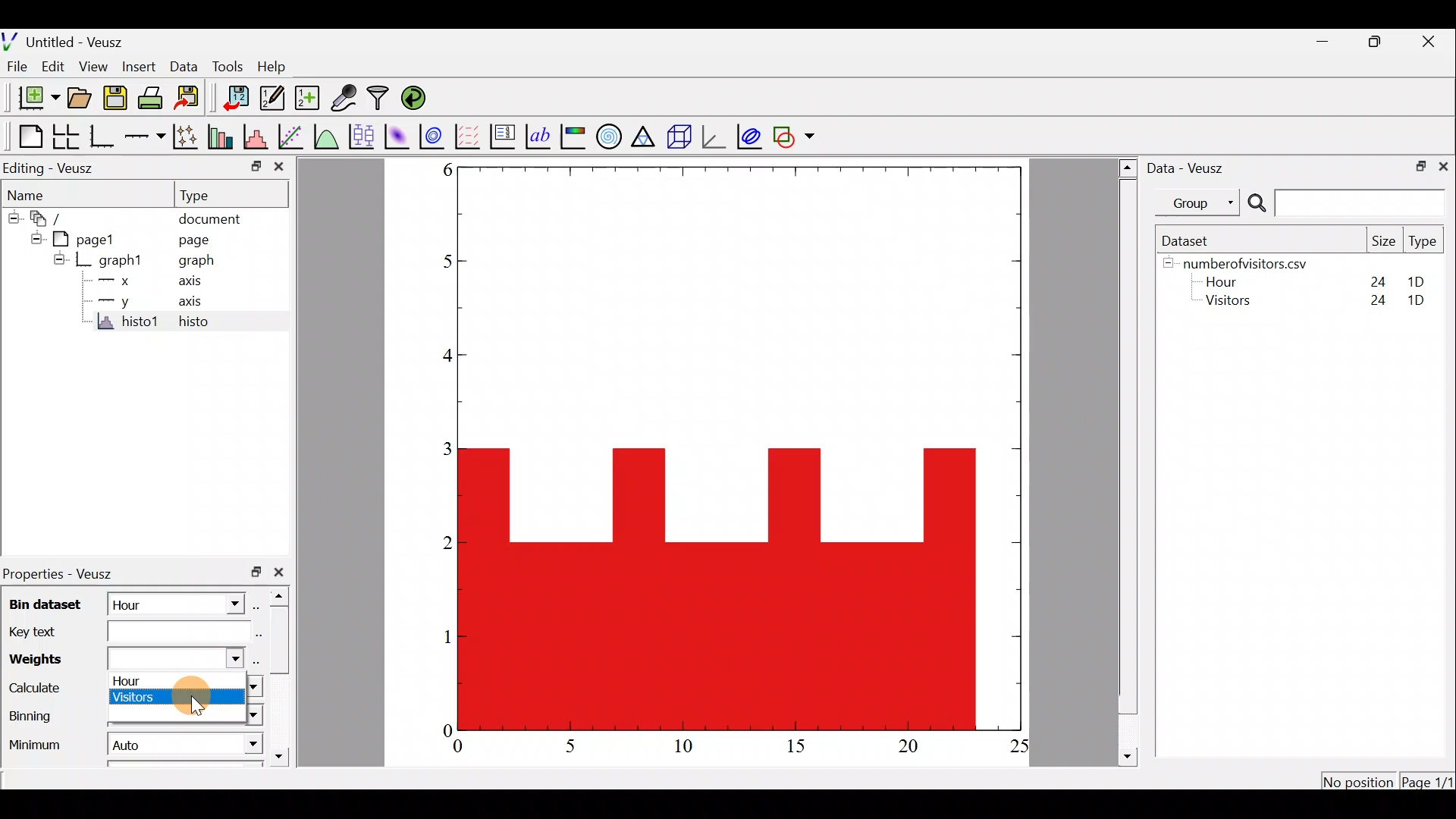 This screenshot has height=819, width=1456. I want to click on plot a function, so click(328, 136).